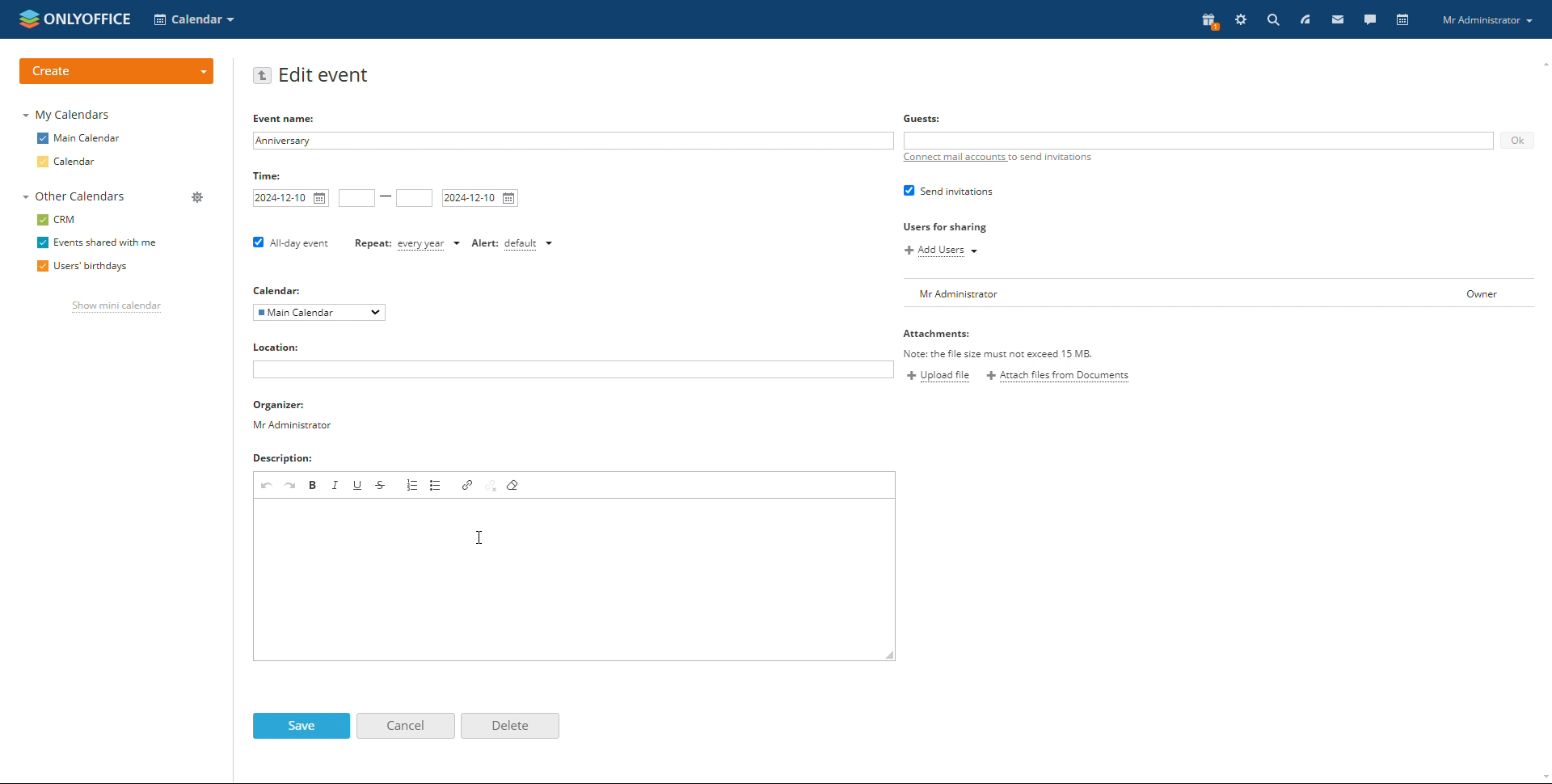  What do you see at coordinates (572, 369) in the screenshot?
I see `add location` at bounding box center [572, 369].